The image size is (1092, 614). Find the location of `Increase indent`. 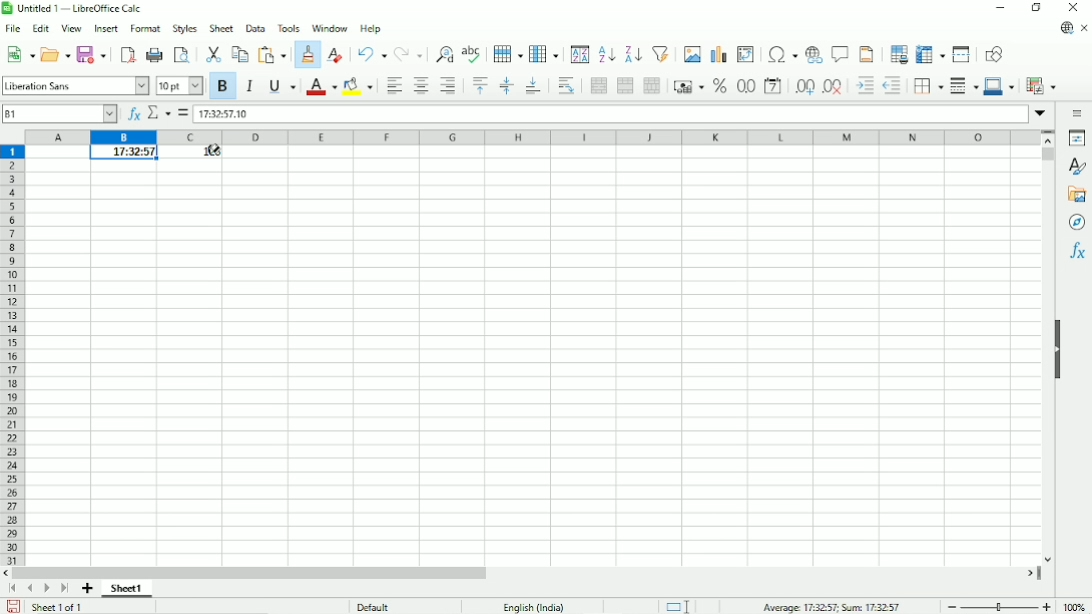

Increase indent is located at coordinates (863, 87).